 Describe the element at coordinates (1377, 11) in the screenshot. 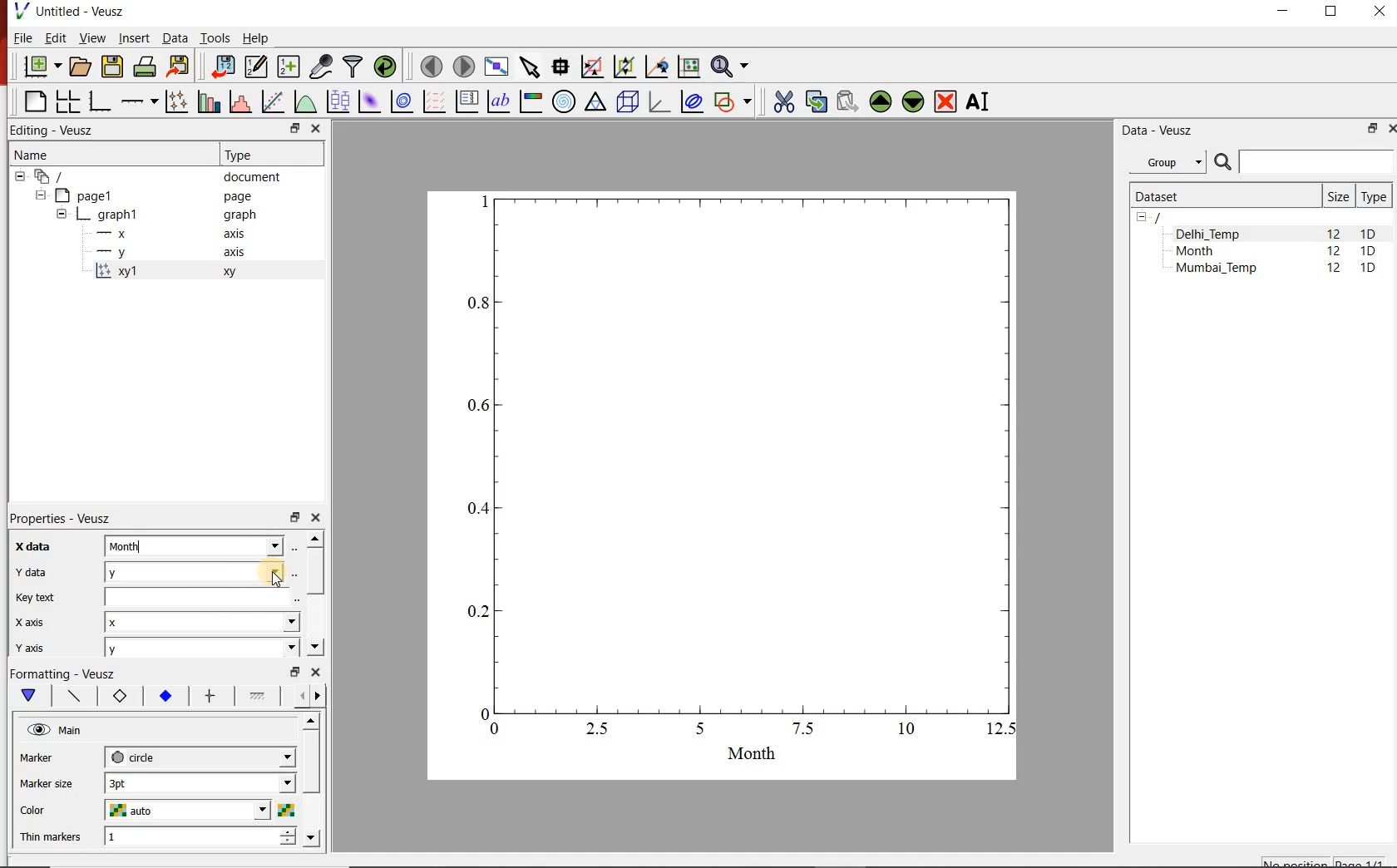

I see `CLOSE` at that location.